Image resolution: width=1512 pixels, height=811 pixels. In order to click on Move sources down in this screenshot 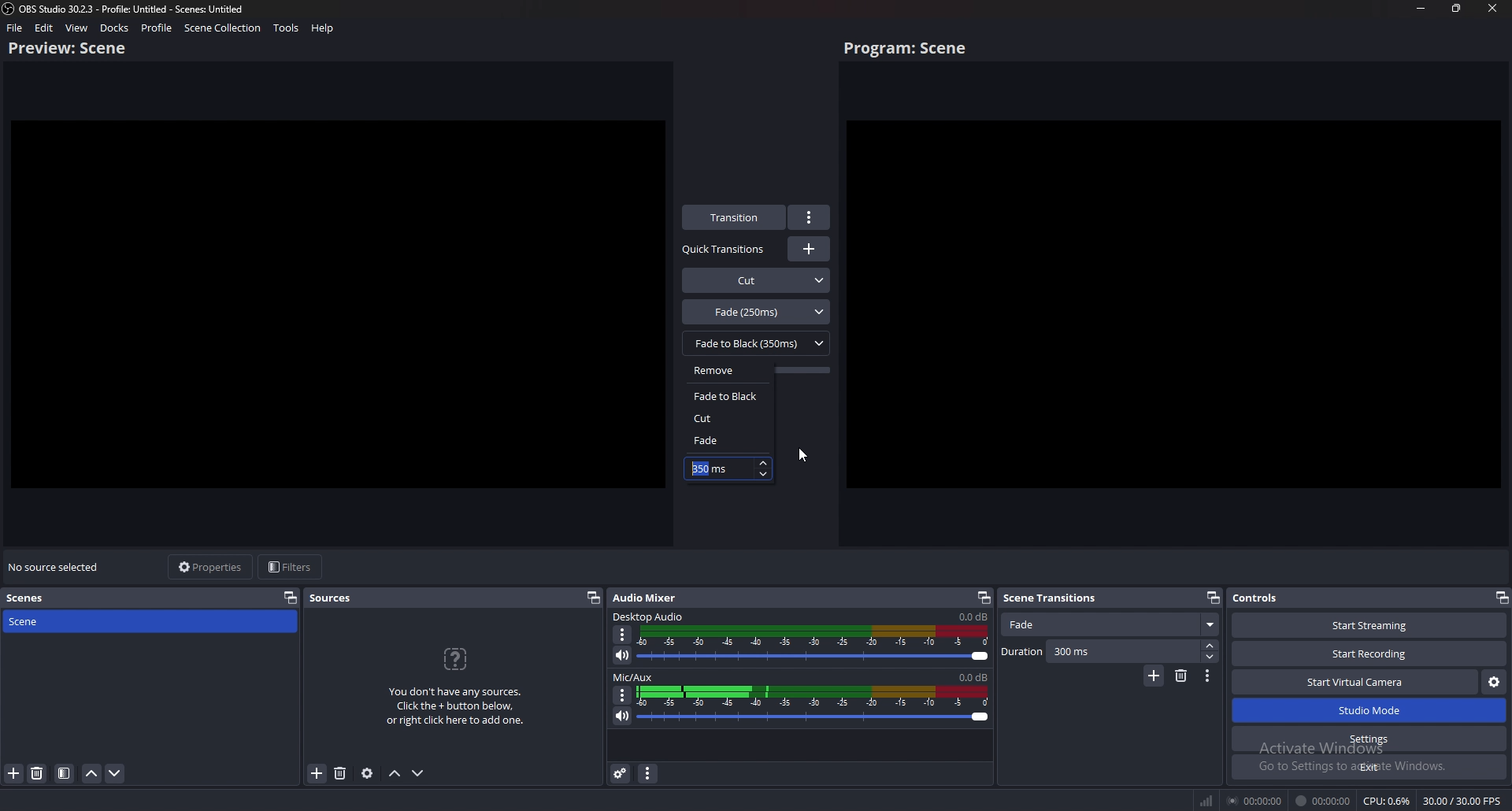, I will do `click(421, 772)`.